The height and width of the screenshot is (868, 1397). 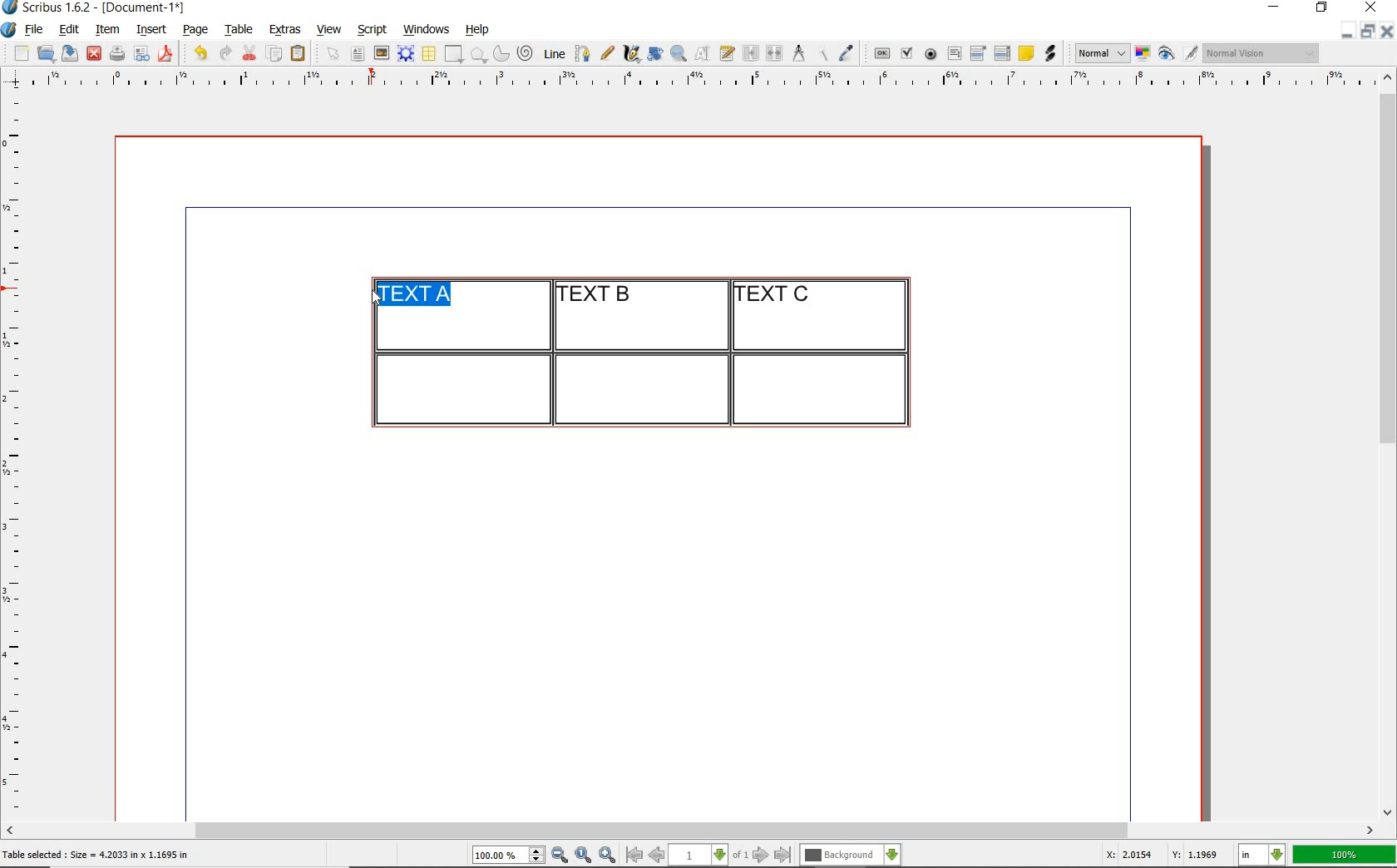 I want to click on go to previous page, so click(x=656, y=856).